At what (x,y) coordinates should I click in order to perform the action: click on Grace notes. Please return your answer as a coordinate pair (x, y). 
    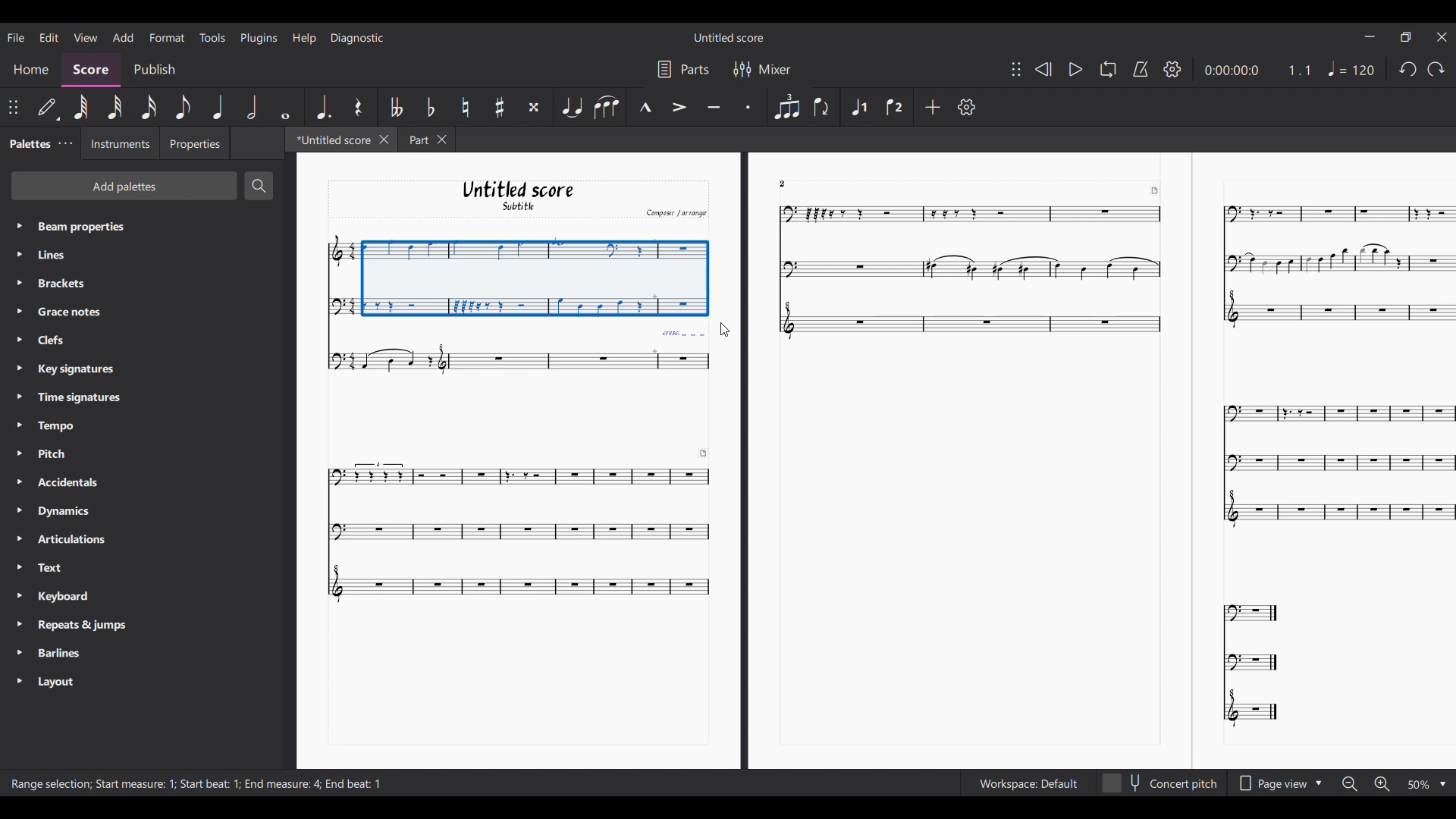
    Looking at the image, I should click on (71, 311).